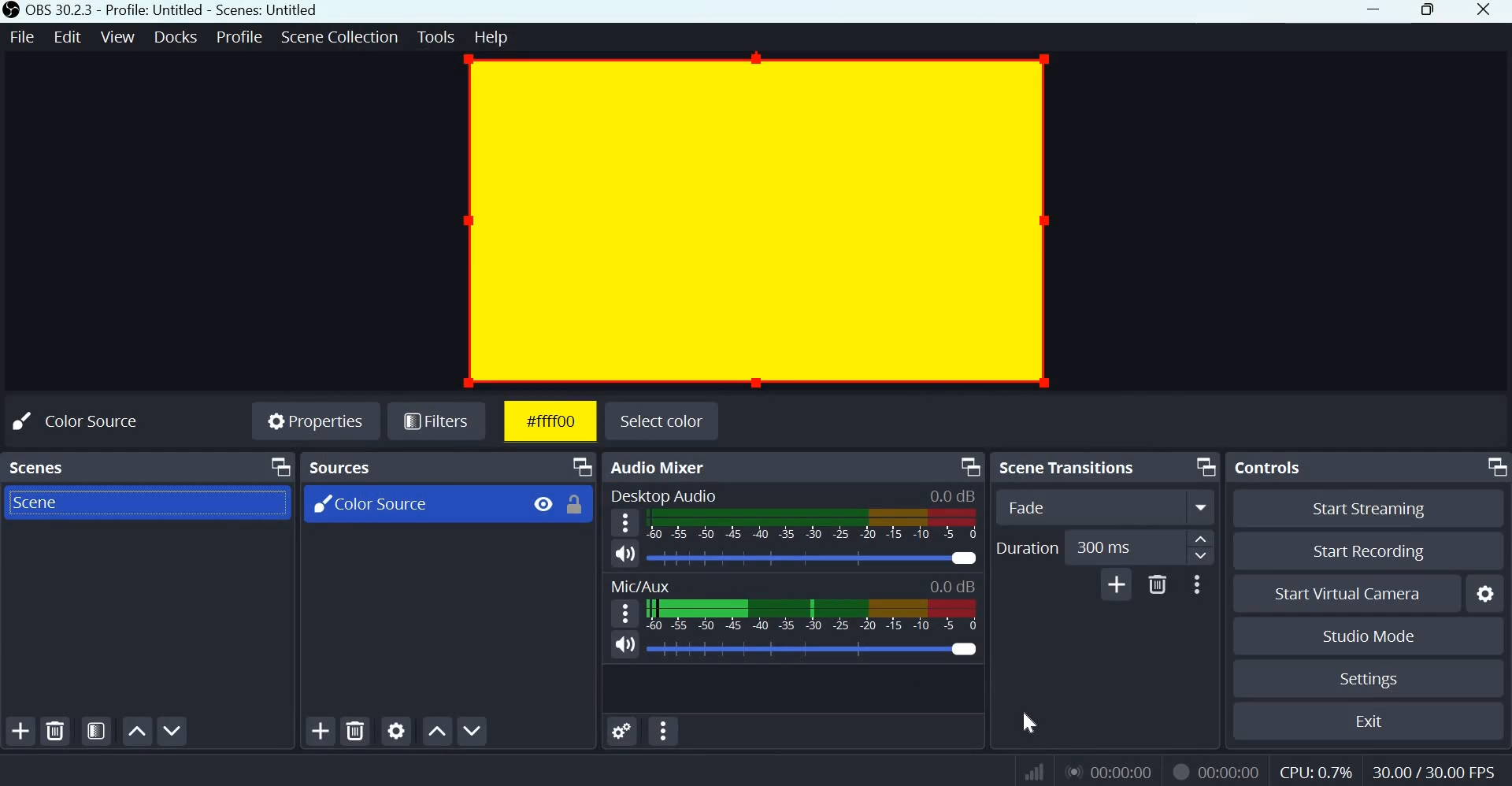 The height and width of the screenshot is (786, 1512). What do you see at coordinates (1033, 724) in the screenshot?
I see `color` at bounding box center [1033, 724].